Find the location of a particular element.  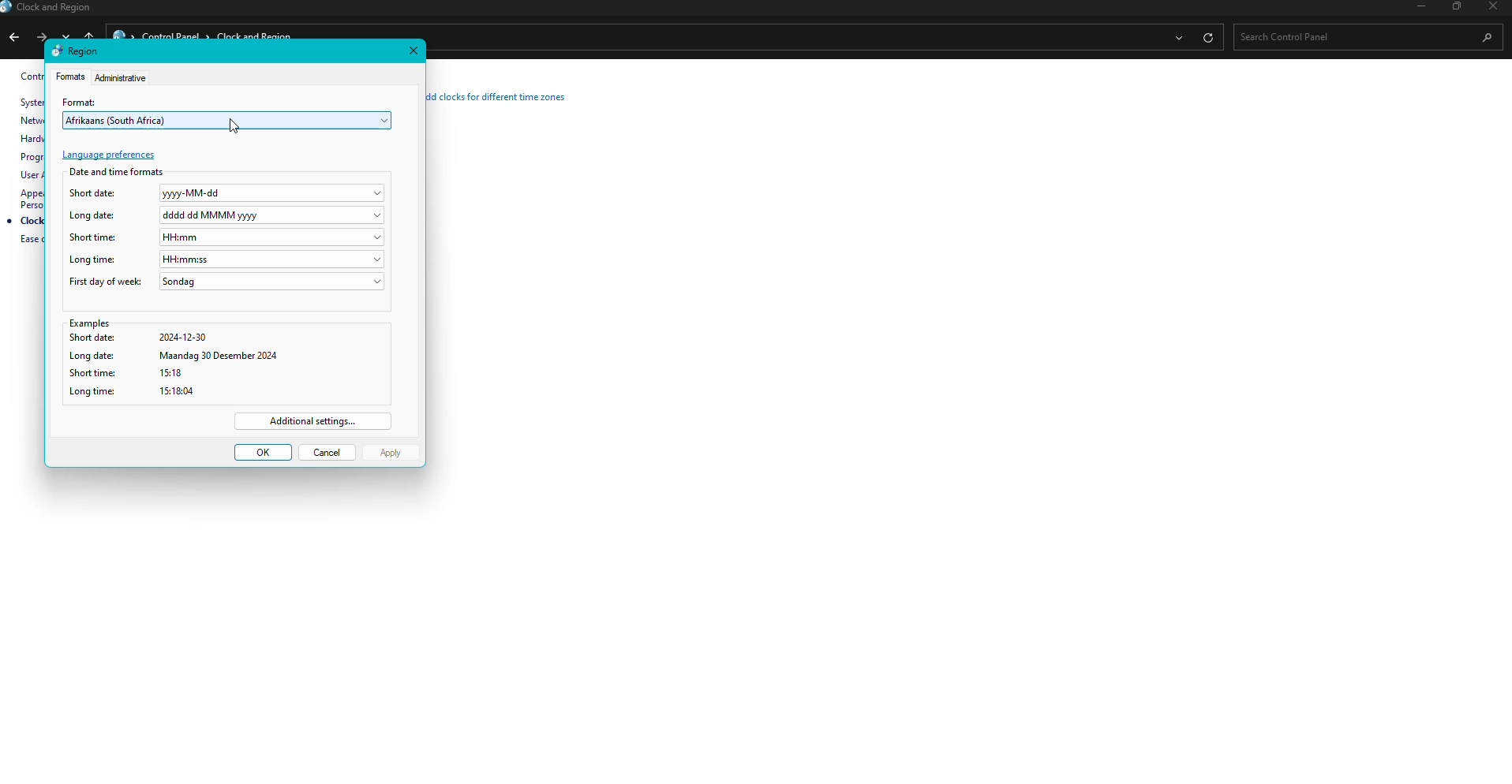

Region is located at coordinates (76, 50).